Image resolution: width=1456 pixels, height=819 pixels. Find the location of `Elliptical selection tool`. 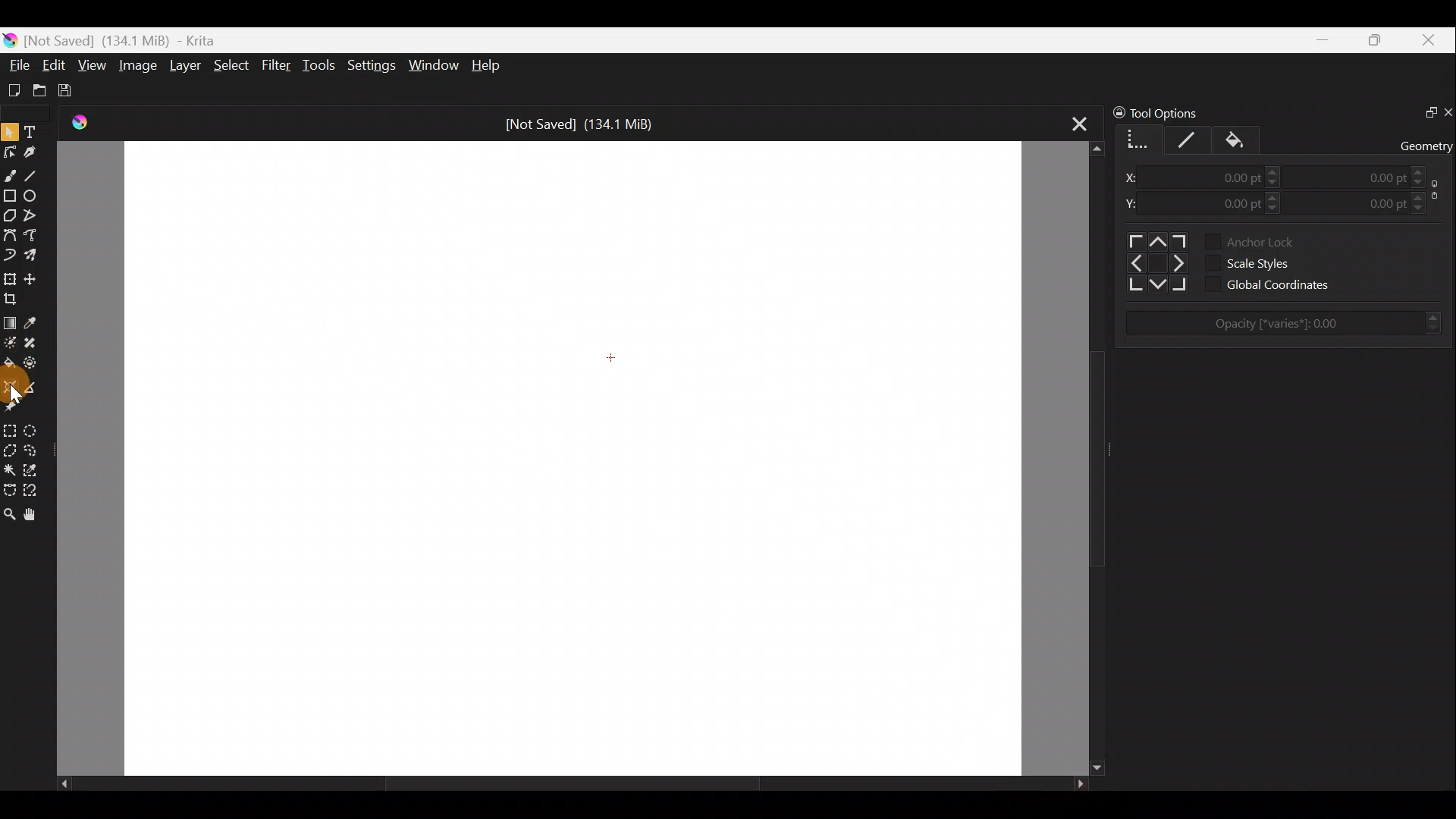

Elliptical selection tool is located at coordinates (38, 428).